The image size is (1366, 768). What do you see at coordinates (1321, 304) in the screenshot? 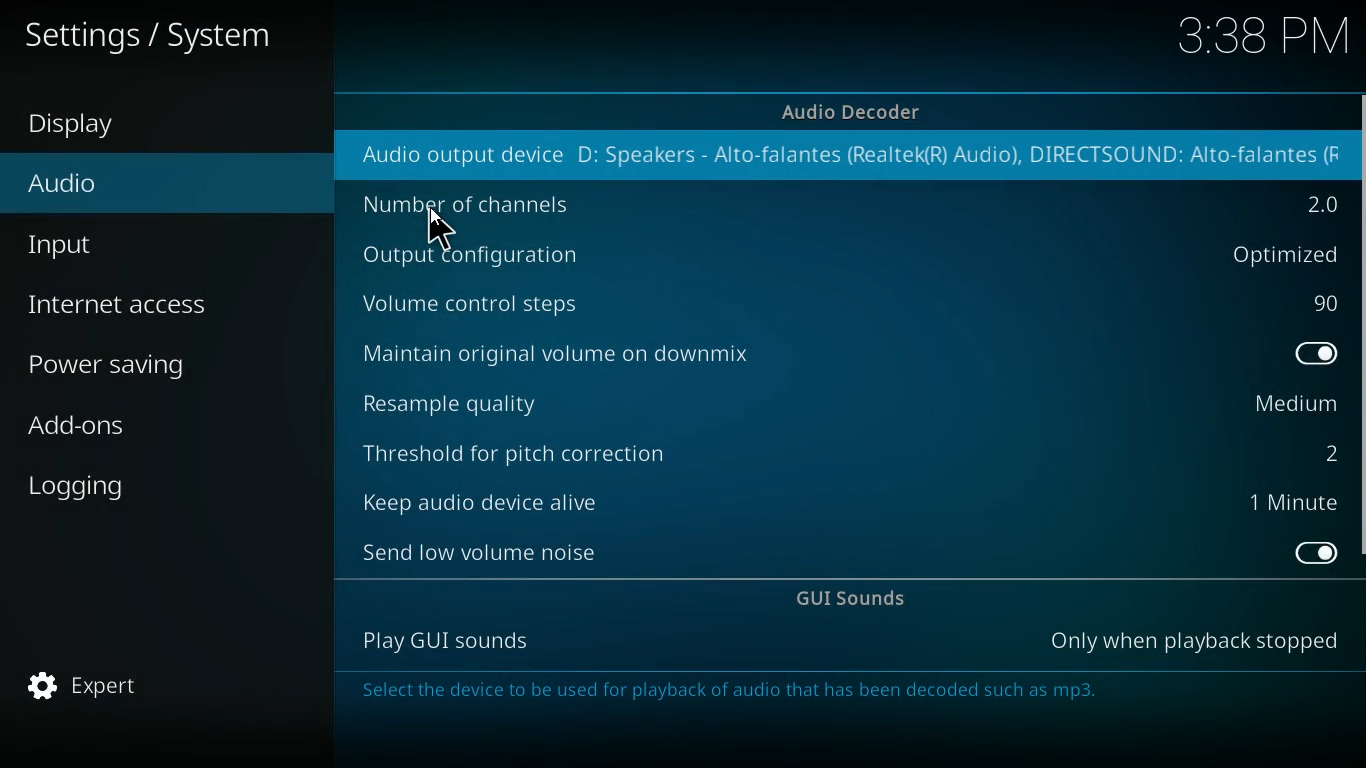
I see `option` at bounding box center [1321, 304].